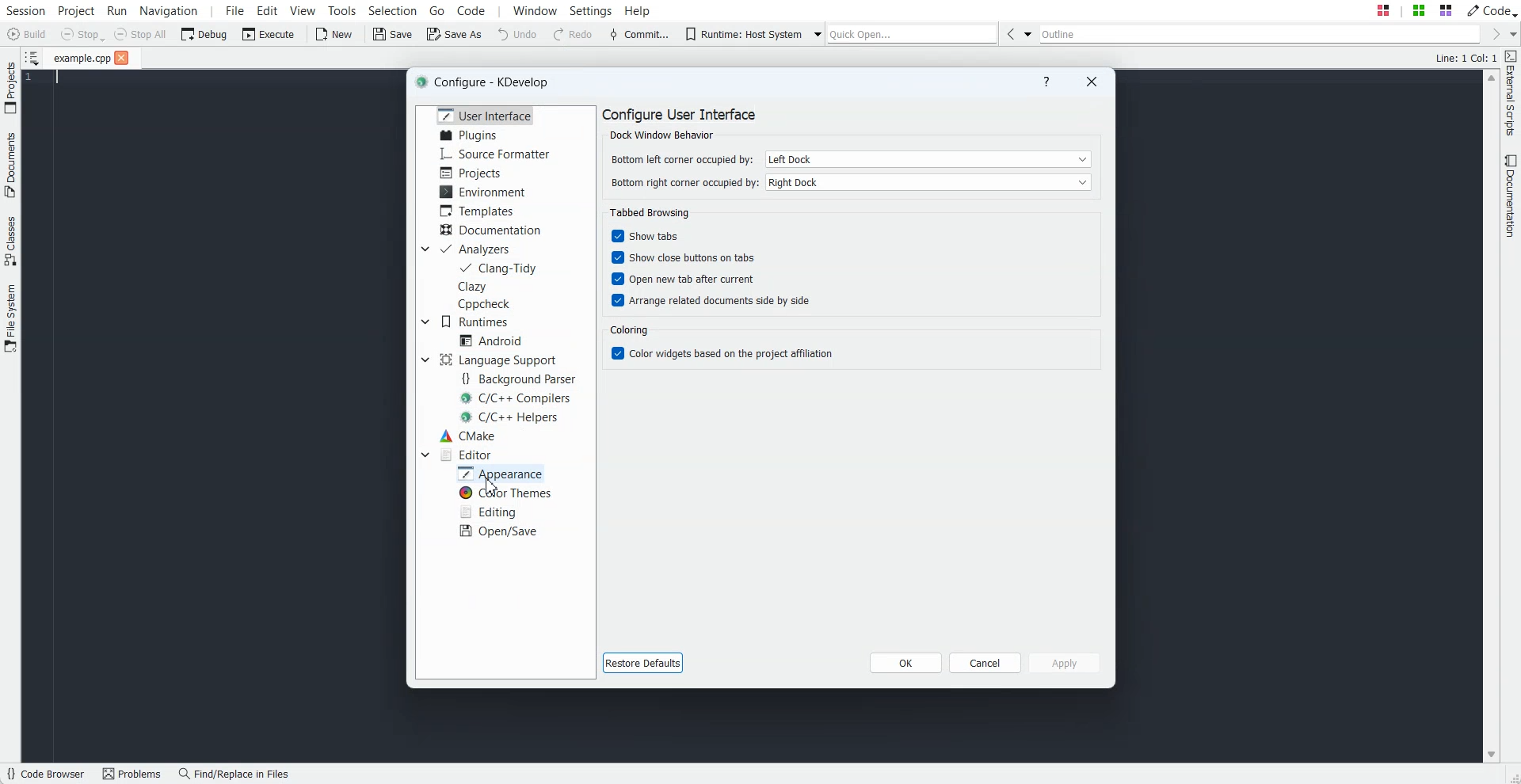 This screenshot has height=784, width=1521. What do you see at coordinates (51, 78) in the screenshot?
I see `Text Cursor` at bounding box center [51, 78].